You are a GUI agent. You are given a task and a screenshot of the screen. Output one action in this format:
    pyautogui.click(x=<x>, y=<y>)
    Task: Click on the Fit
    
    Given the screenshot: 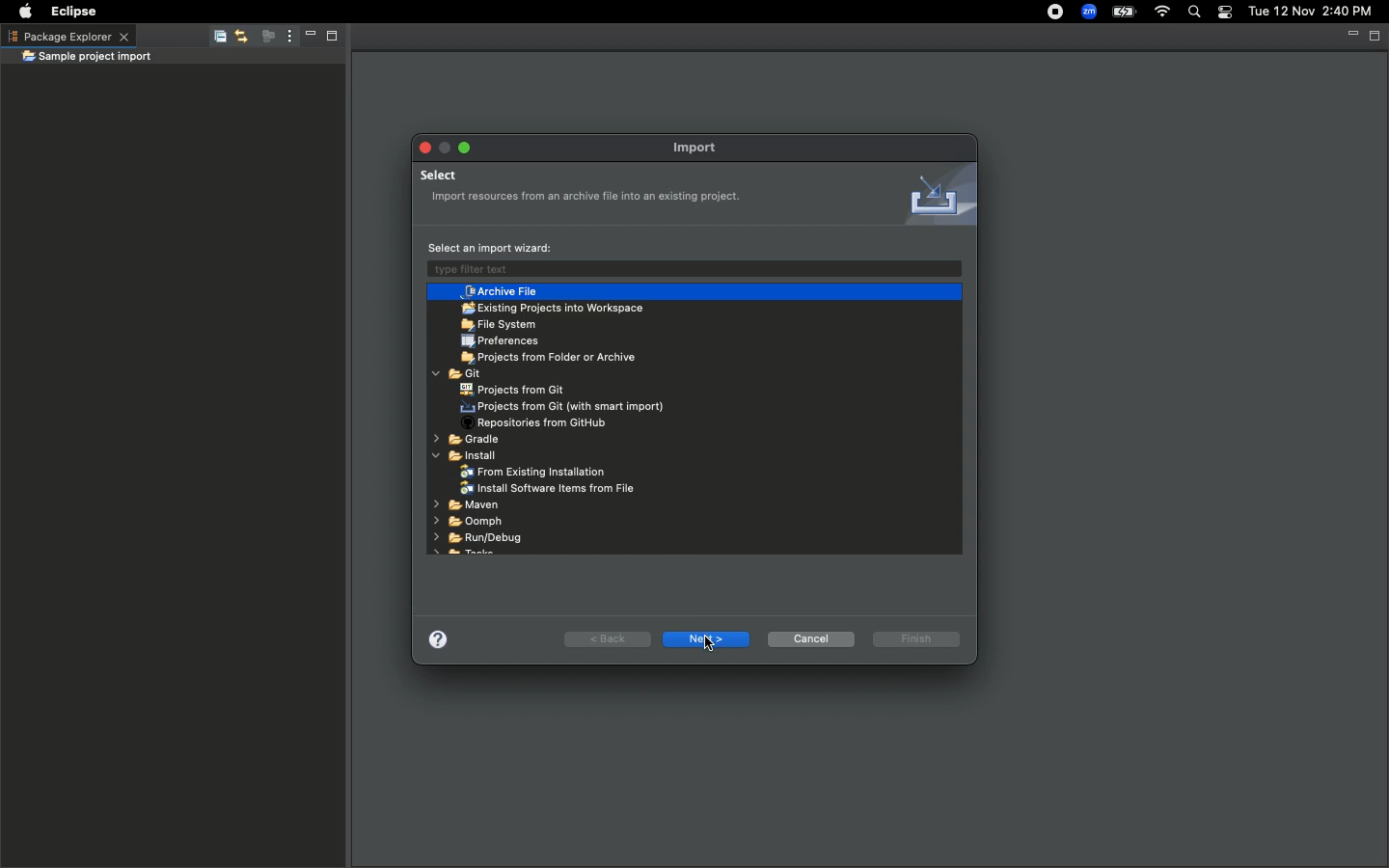 What is the action you would take?
    pyautogui.click(x=458, y=374)
    